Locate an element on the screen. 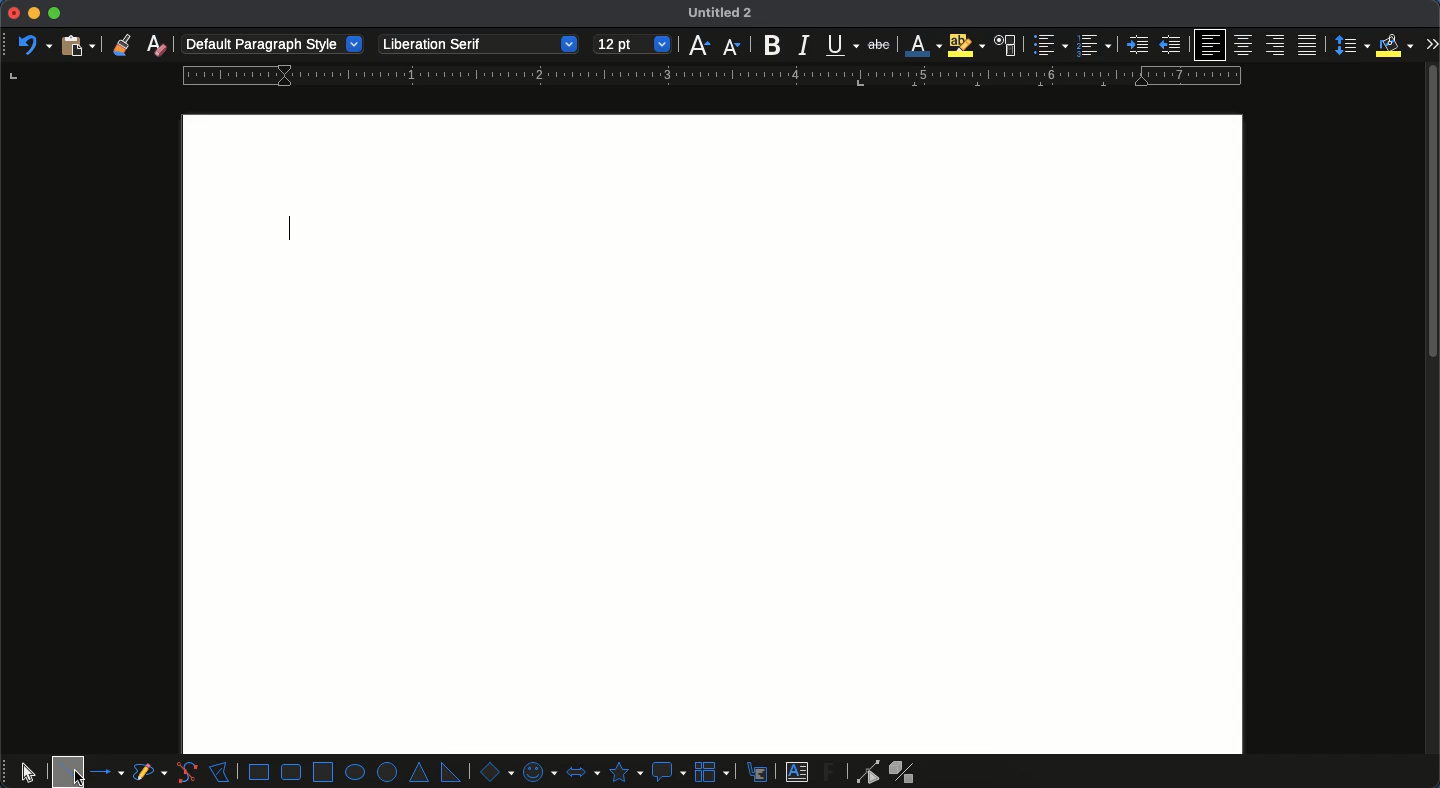 The width and height of the screenshot is (1440, 788). Cursor is located at coordinates (77, 777).